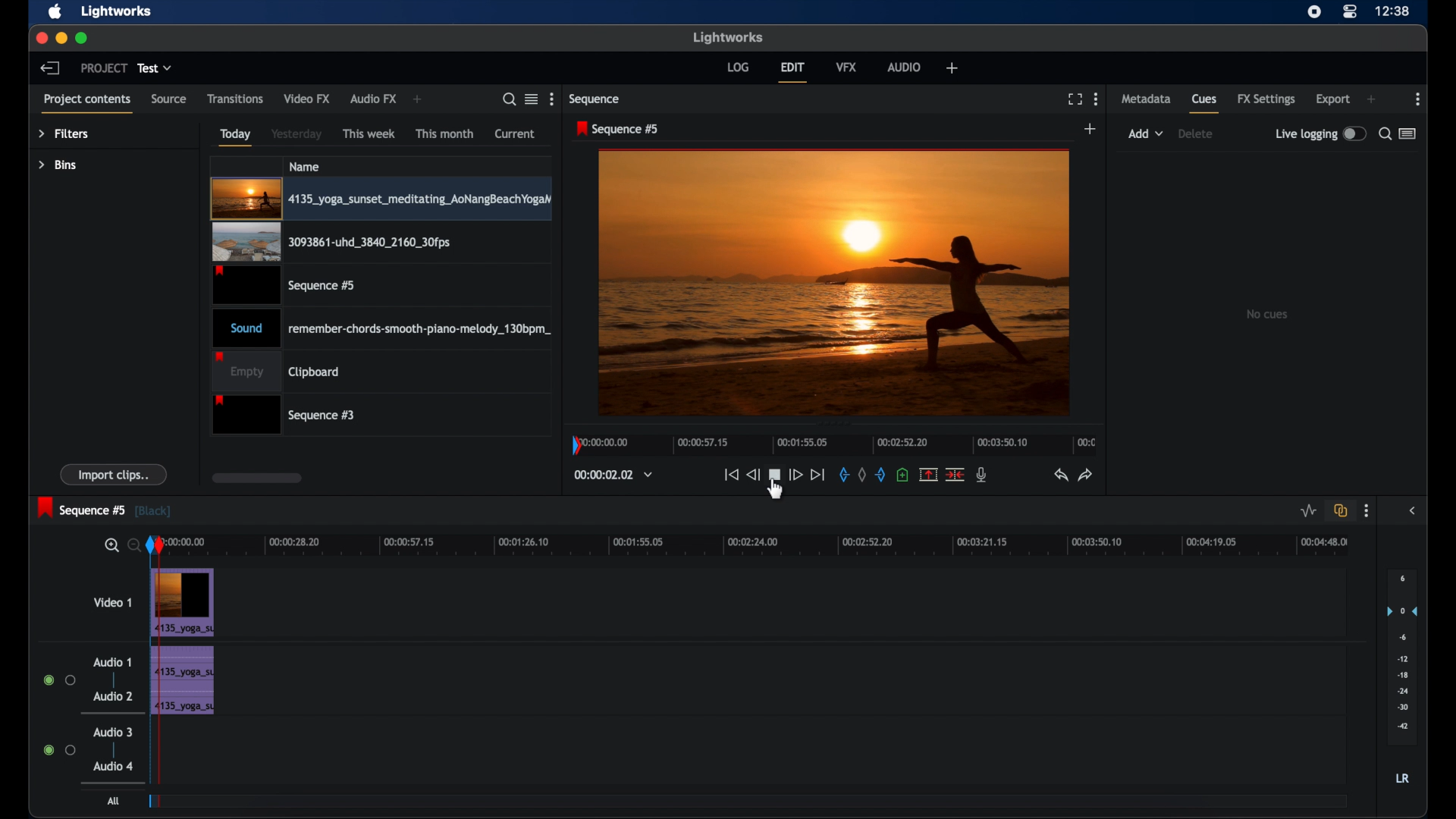 The width and height of the screenshot is (1456, 819). Describe the element at coordinates (738, 67) in the screenshot. I see `log` at that location.